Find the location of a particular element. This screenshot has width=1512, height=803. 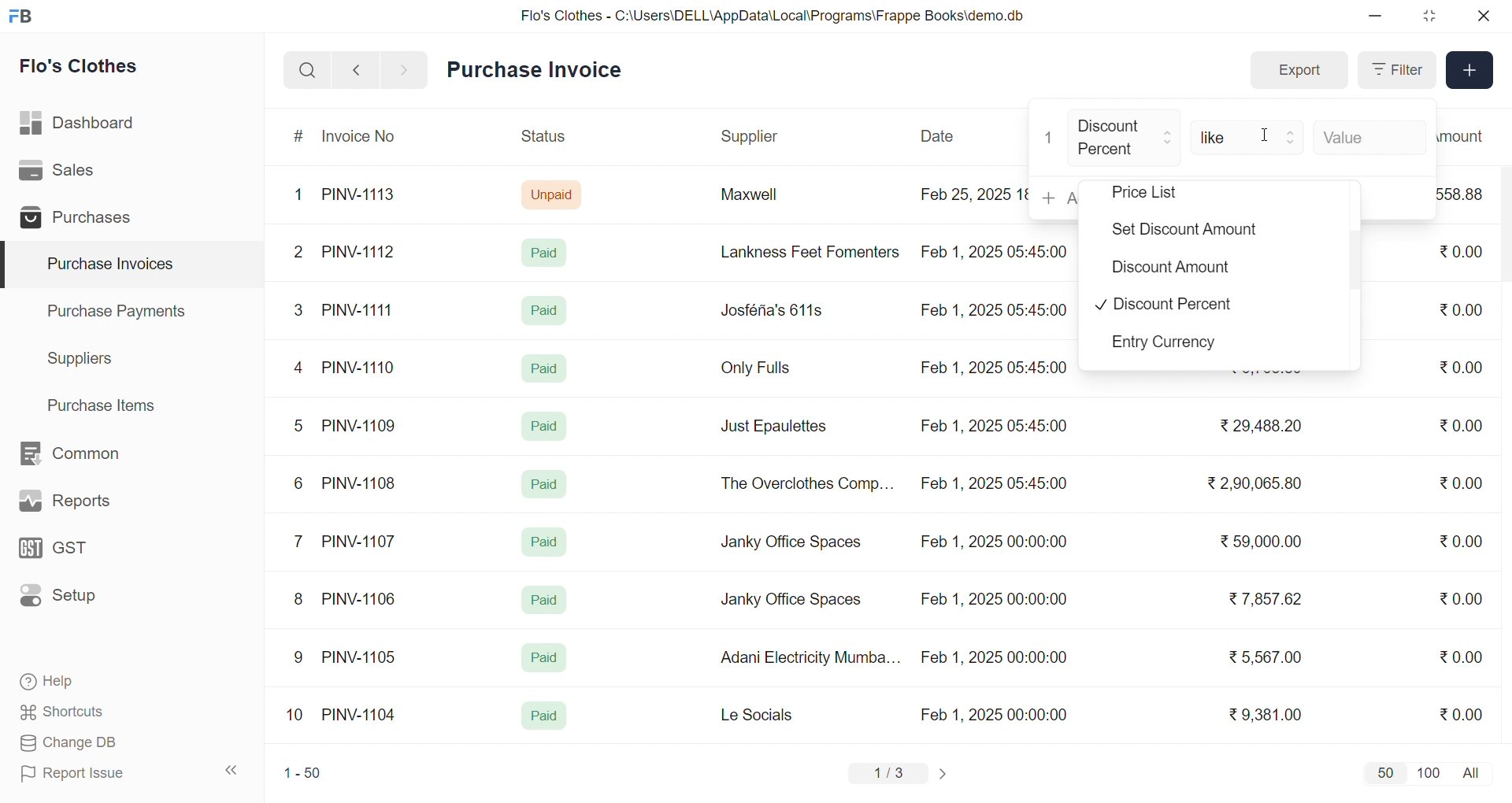

₹0.00 is located at coordinates (1458, 253).